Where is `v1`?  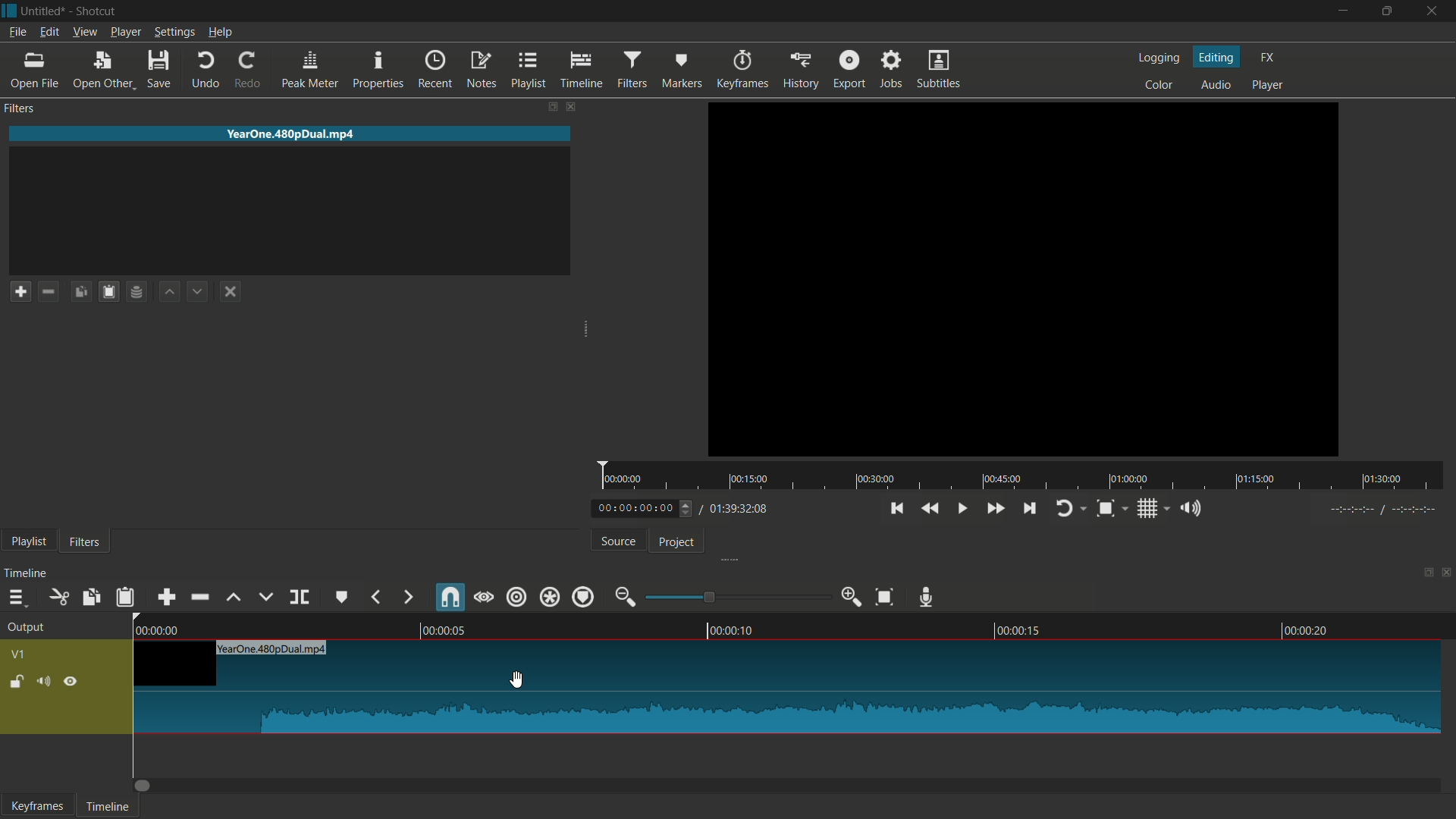
v1 is located at coordinates (20, 655).